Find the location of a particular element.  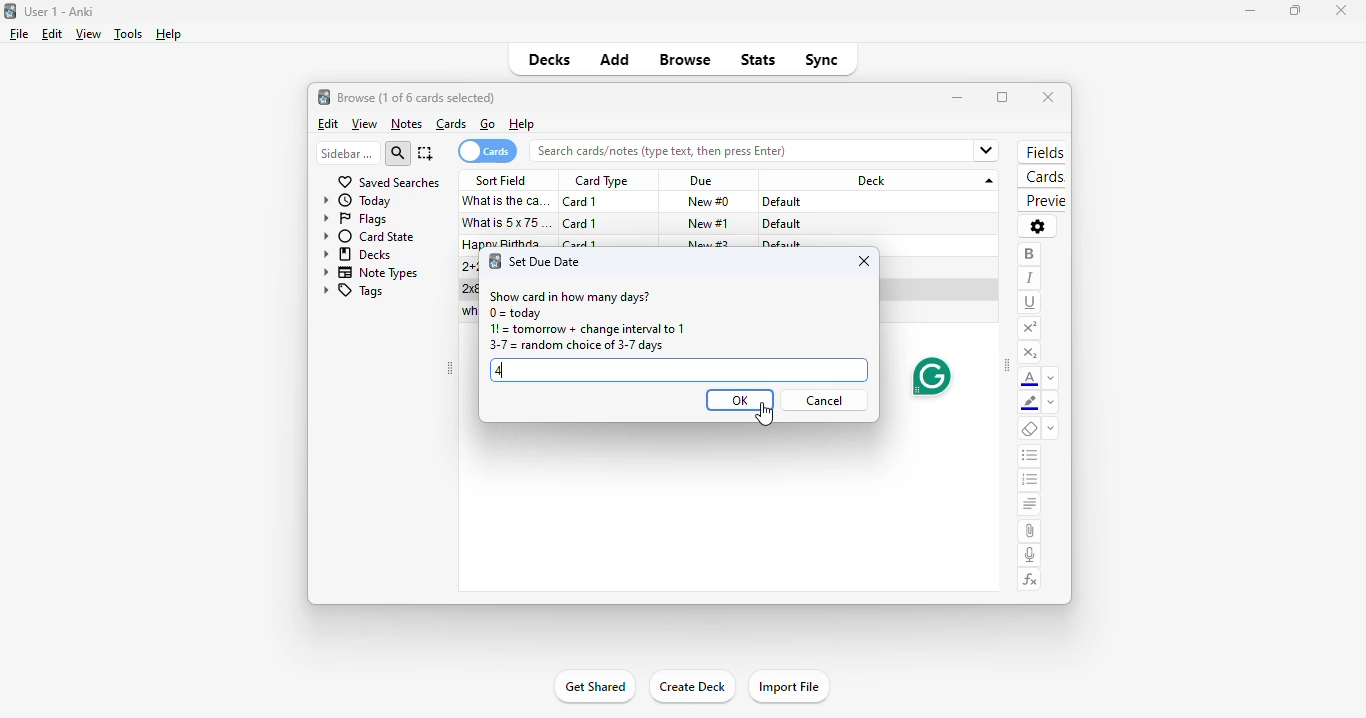

help is located at coordinates (521, 125).